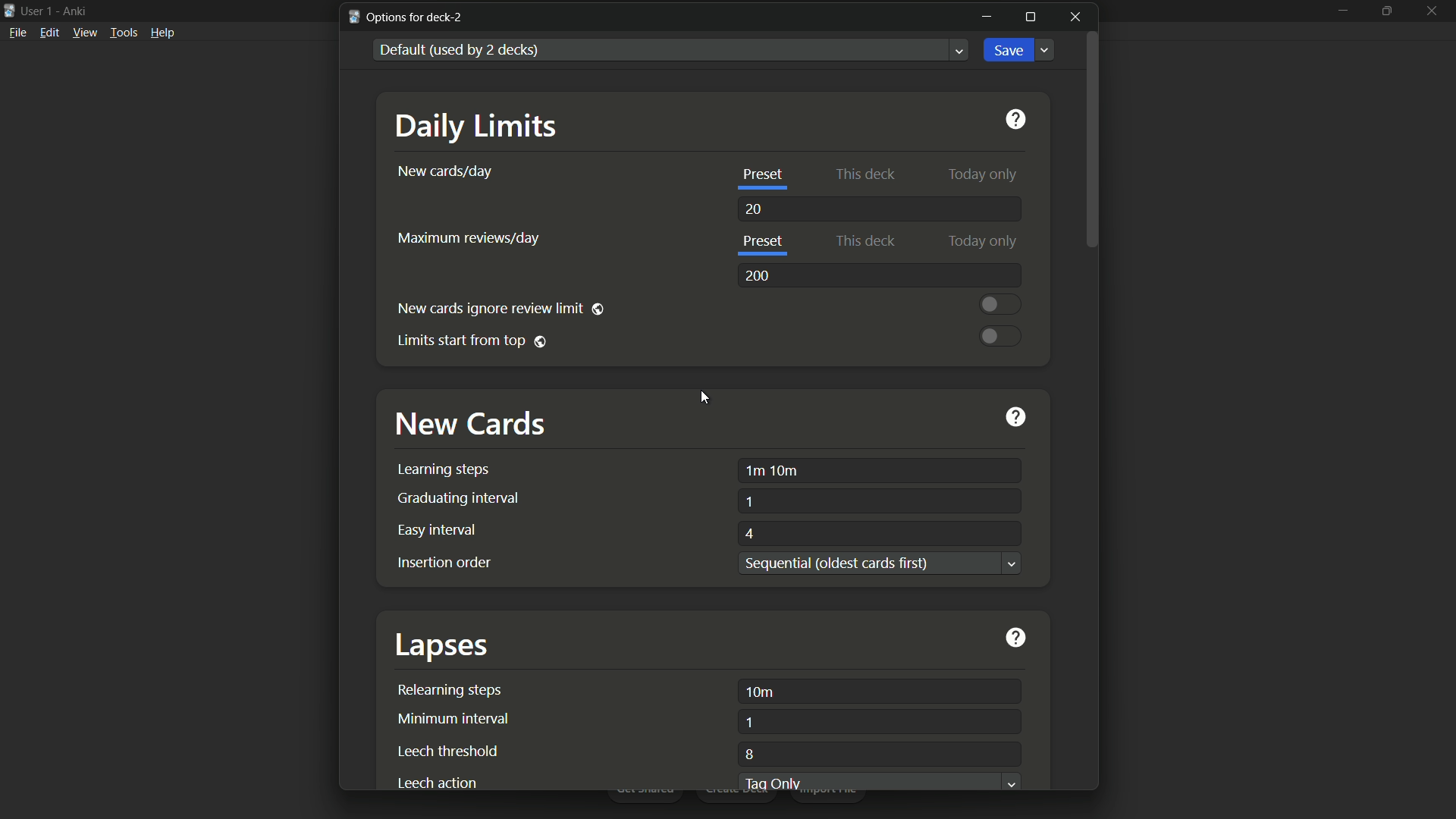  What do you see at coordinates (1046, 50) in the screenshot?
I see `Dropdown` at bounding box center [1046, 50].